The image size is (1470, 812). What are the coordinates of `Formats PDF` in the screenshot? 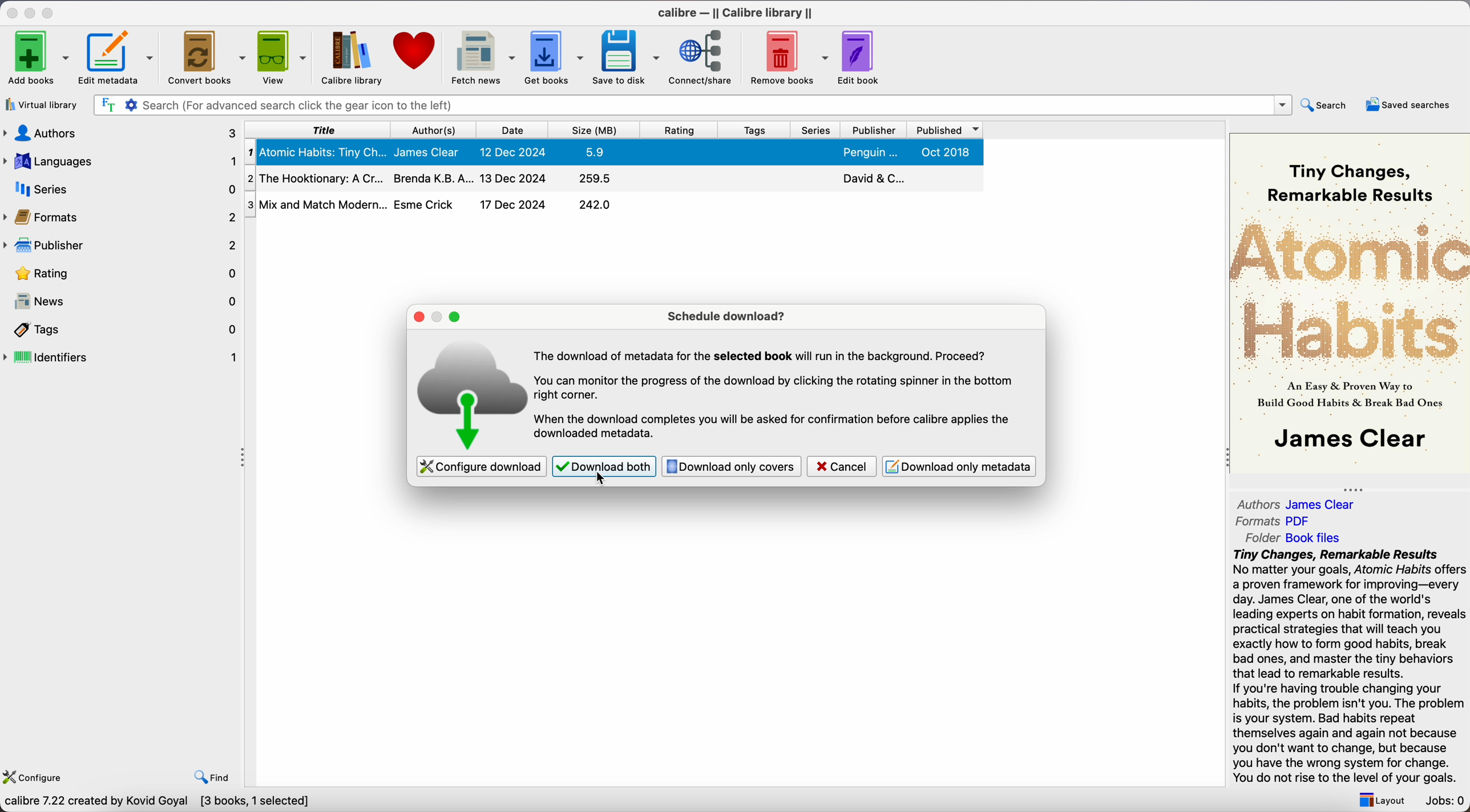 It's located at (1273, 523).